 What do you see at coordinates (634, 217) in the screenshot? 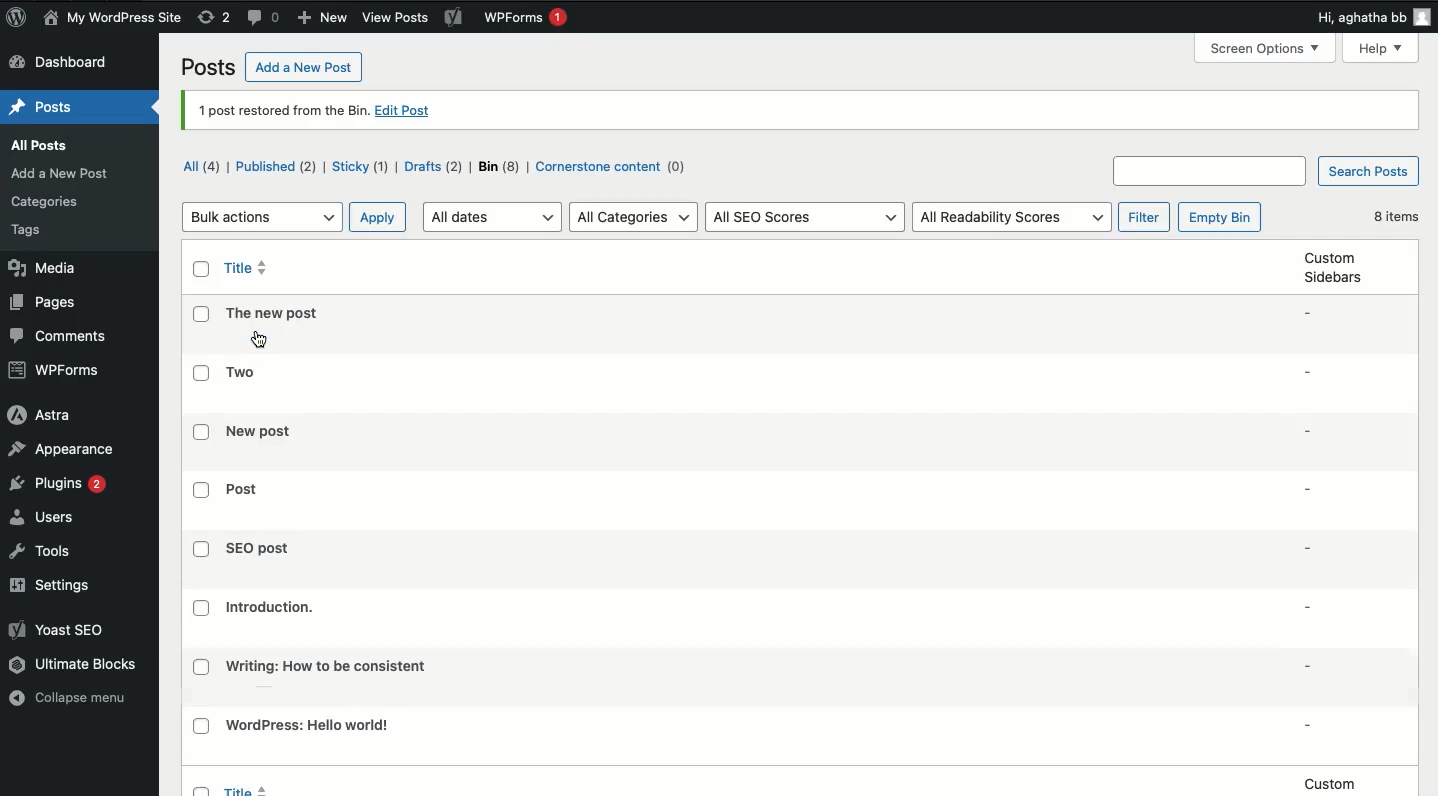
I see `All categories` at bounding box center [634, 217].